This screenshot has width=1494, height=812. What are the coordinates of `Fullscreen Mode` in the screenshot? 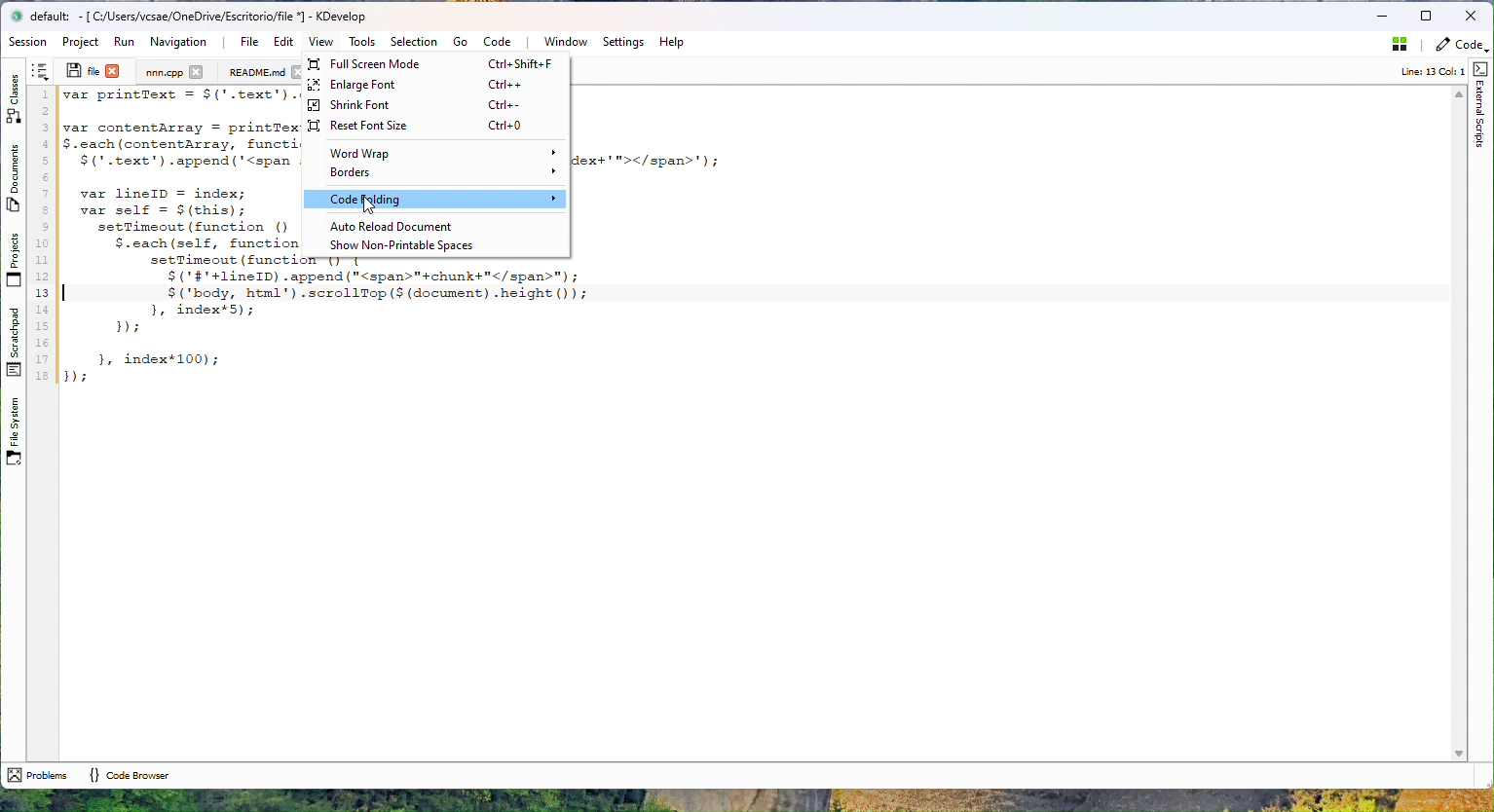 It's located at (434, 64).